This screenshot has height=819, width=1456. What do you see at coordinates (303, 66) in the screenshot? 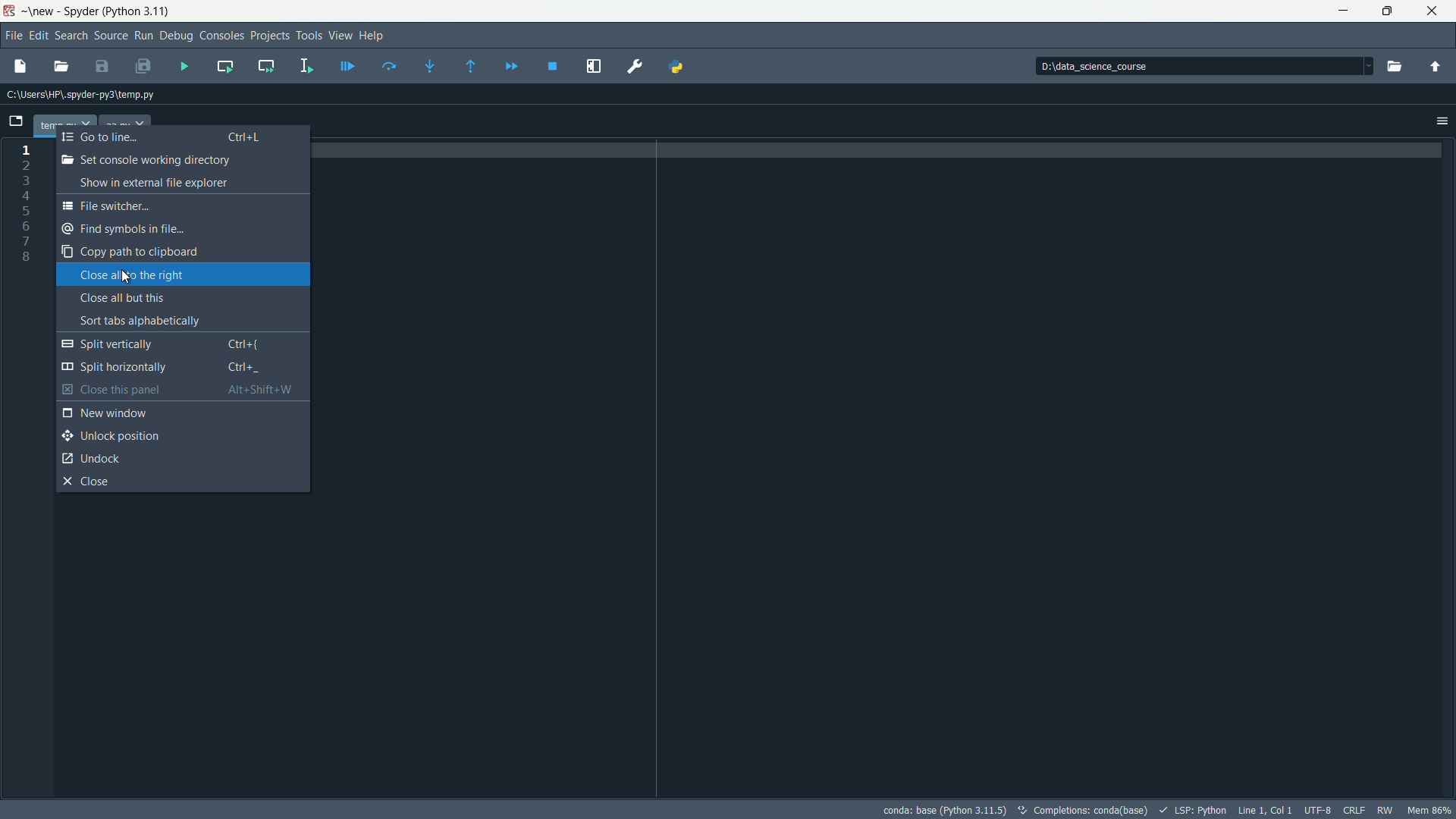
I see `run slection or current line` at bounding box center [303, 66].